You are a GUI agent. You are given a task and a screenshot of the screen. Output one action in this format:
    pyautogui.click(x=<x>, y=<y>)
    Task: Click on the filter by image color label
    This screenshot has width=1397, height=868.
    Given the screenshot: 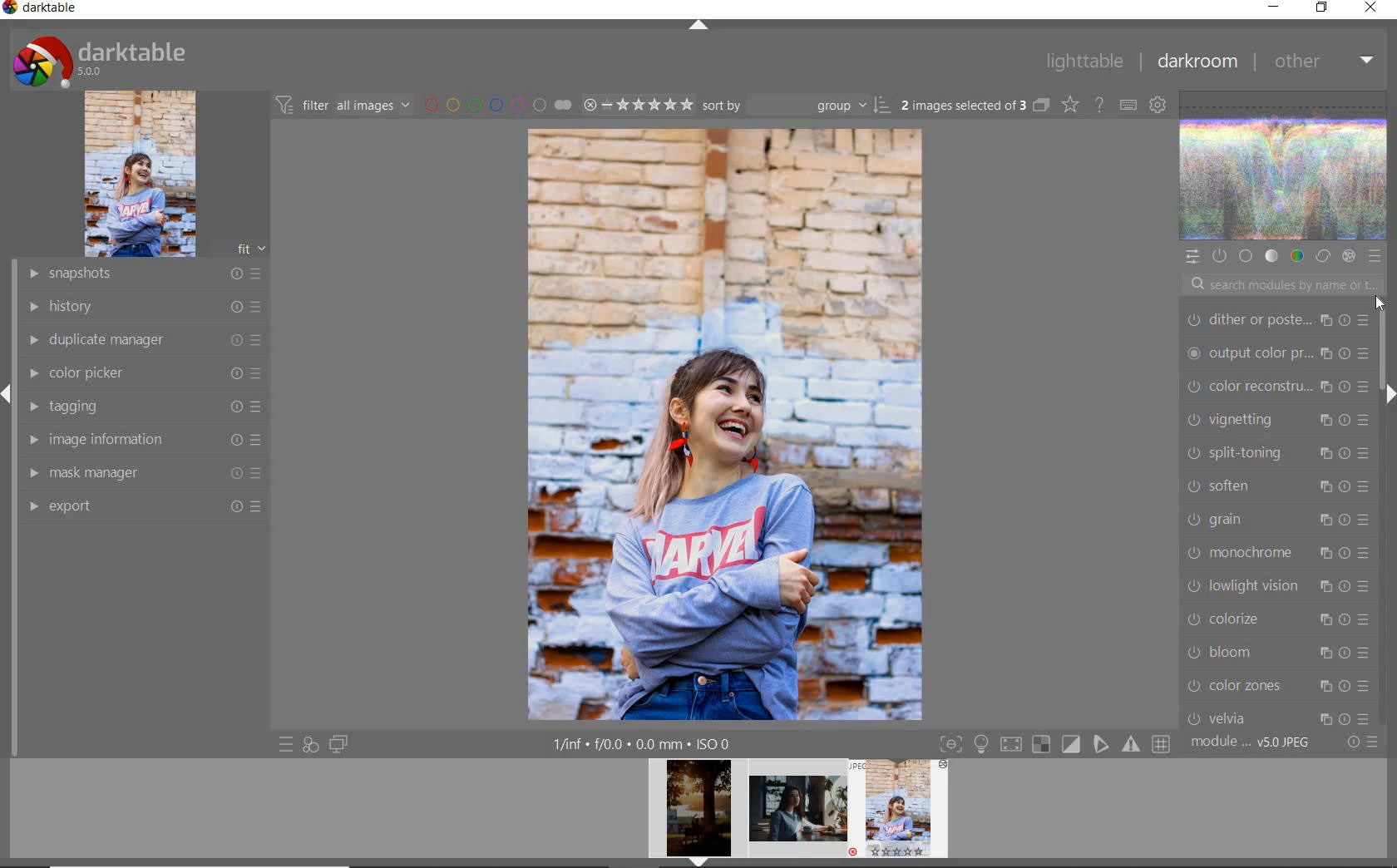 What is the action you would take?
    pyautogui.click(x=496, y=104)
    